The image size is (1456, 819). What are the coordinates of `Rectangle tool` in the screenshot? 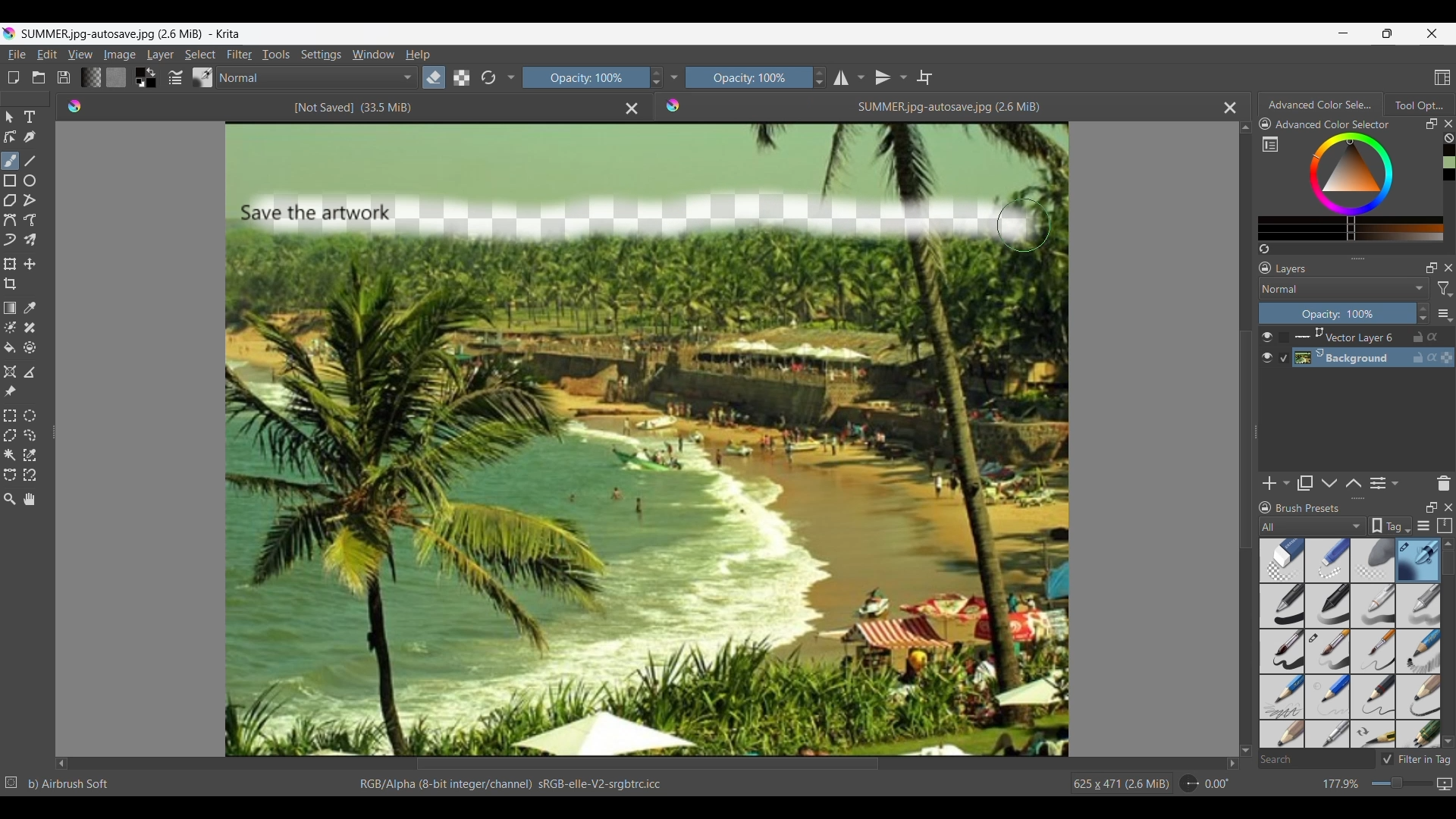 It's located at (10, 181).